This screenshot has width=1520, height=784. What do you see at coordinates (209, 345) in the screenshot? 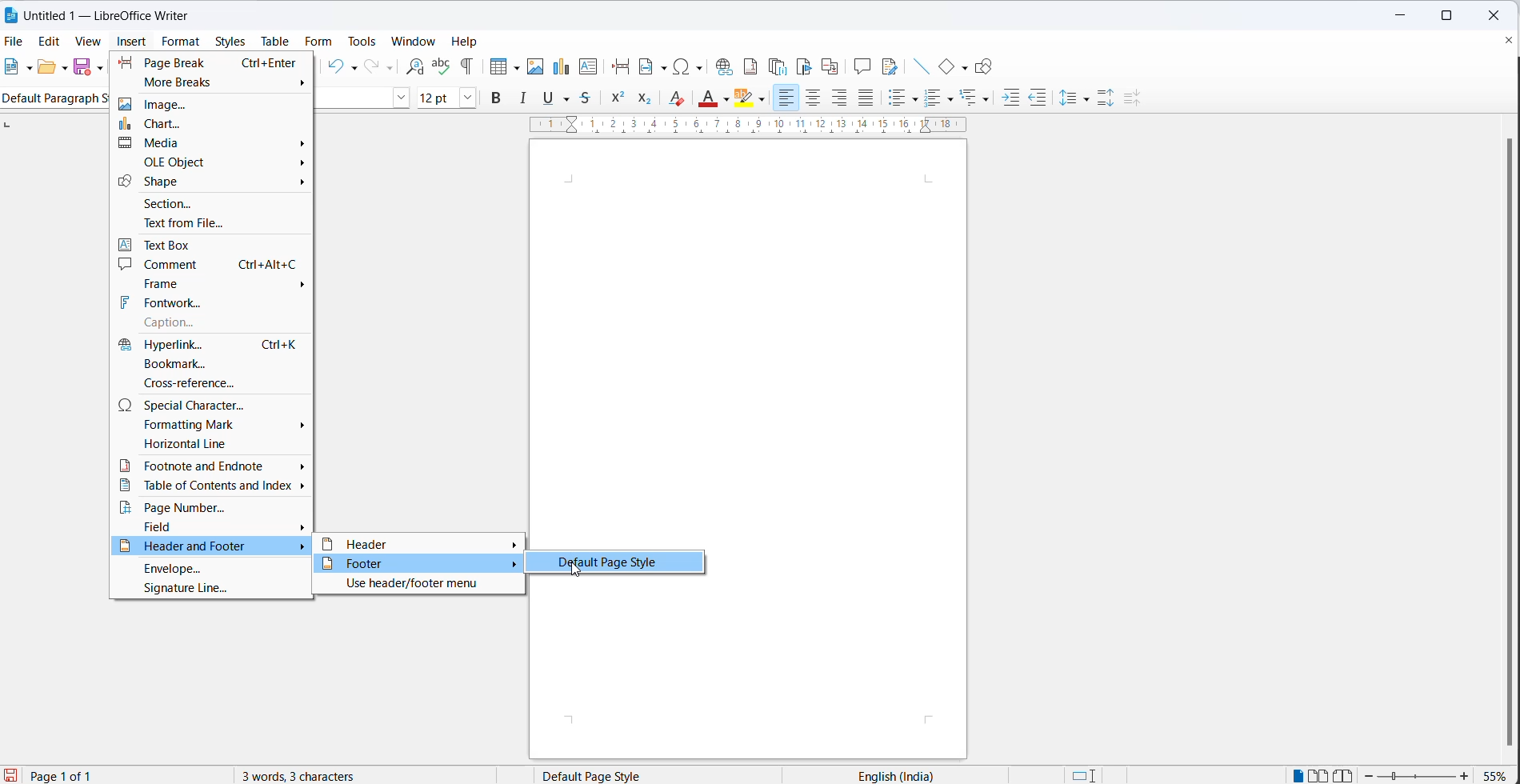
I see `hyperlink` at bounding box center [209, 345].